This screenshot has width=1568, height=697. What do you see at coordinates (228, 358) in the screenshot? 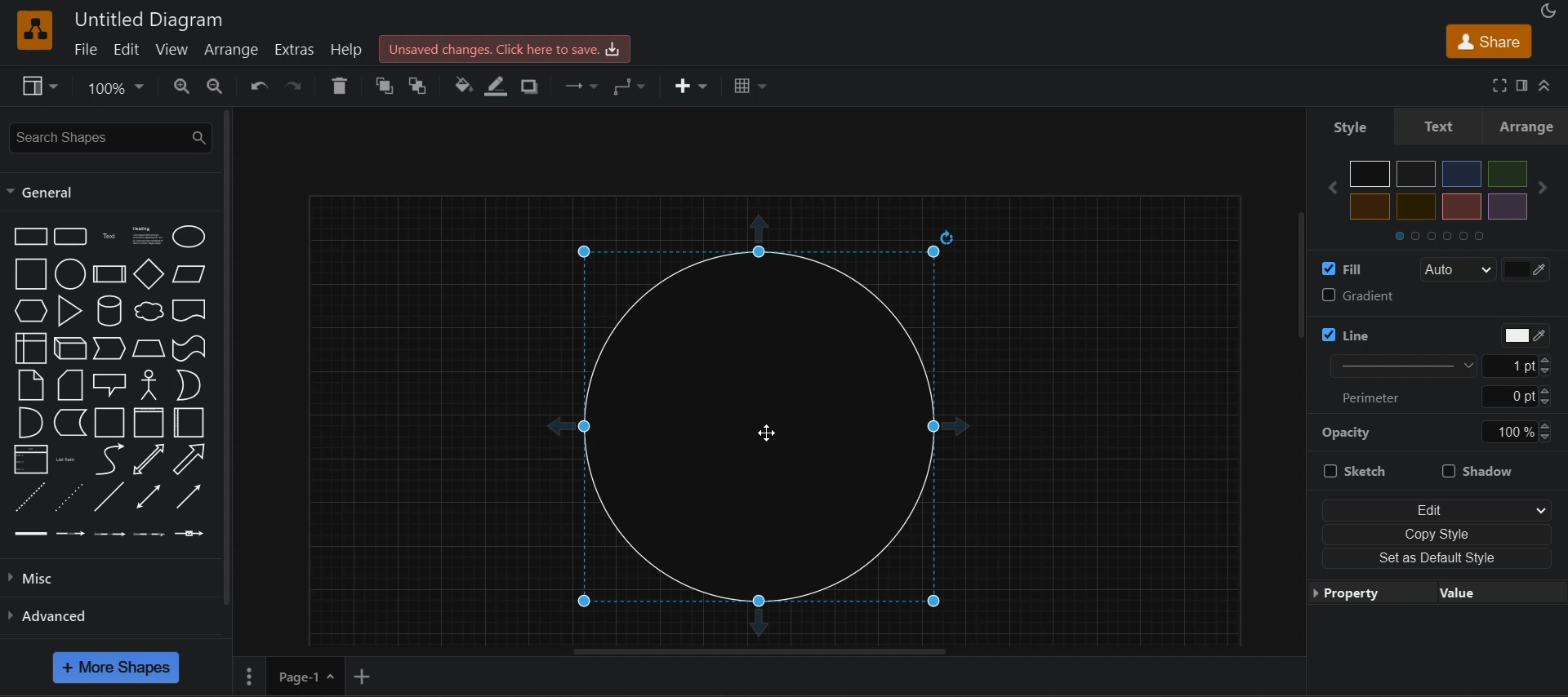
I see `vertical scroll bar` at bounding box center [228, 358].